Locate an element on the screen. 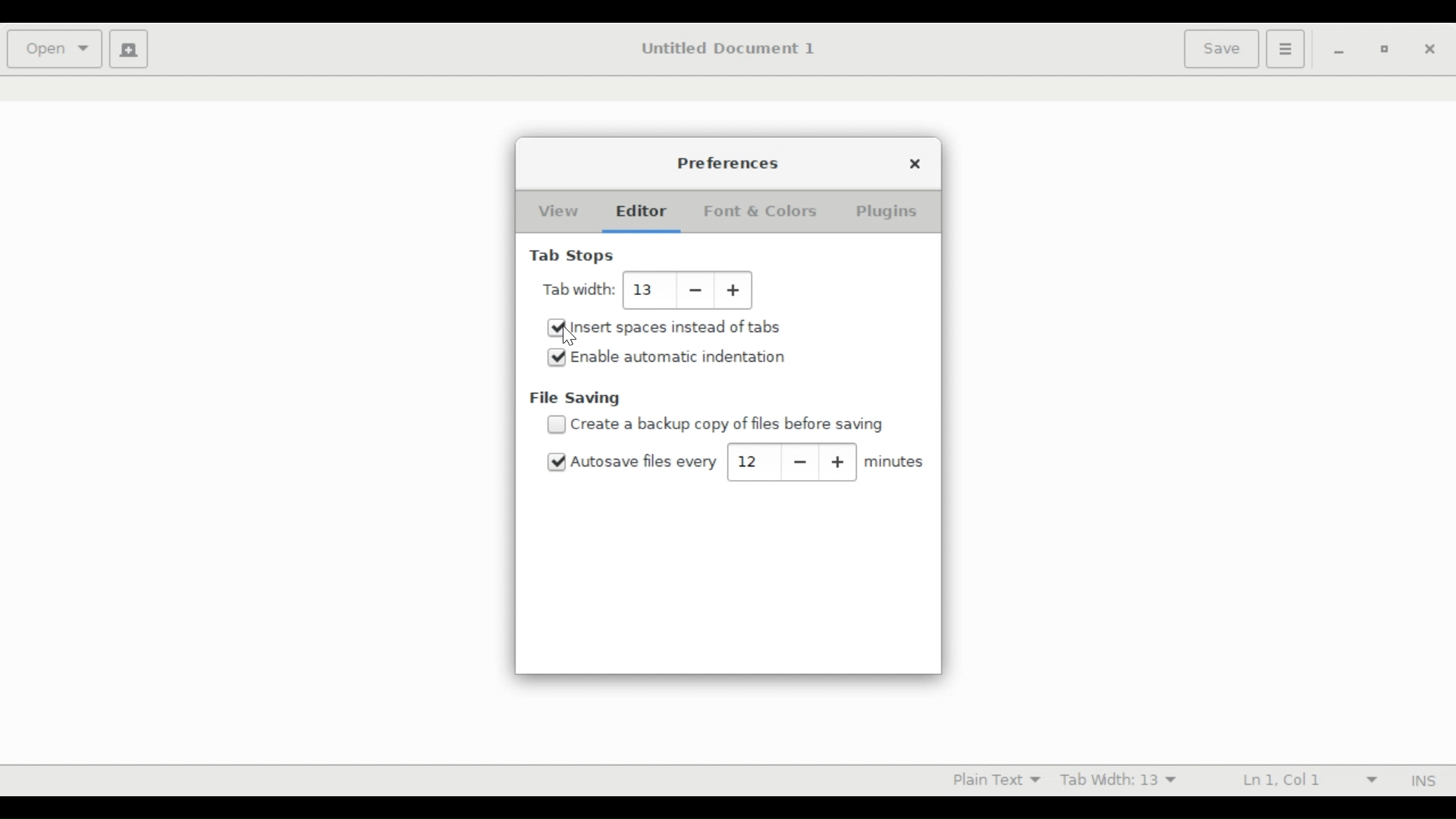 This screenshot has width=1456, height=819. View is located at coordinates (556, 212).